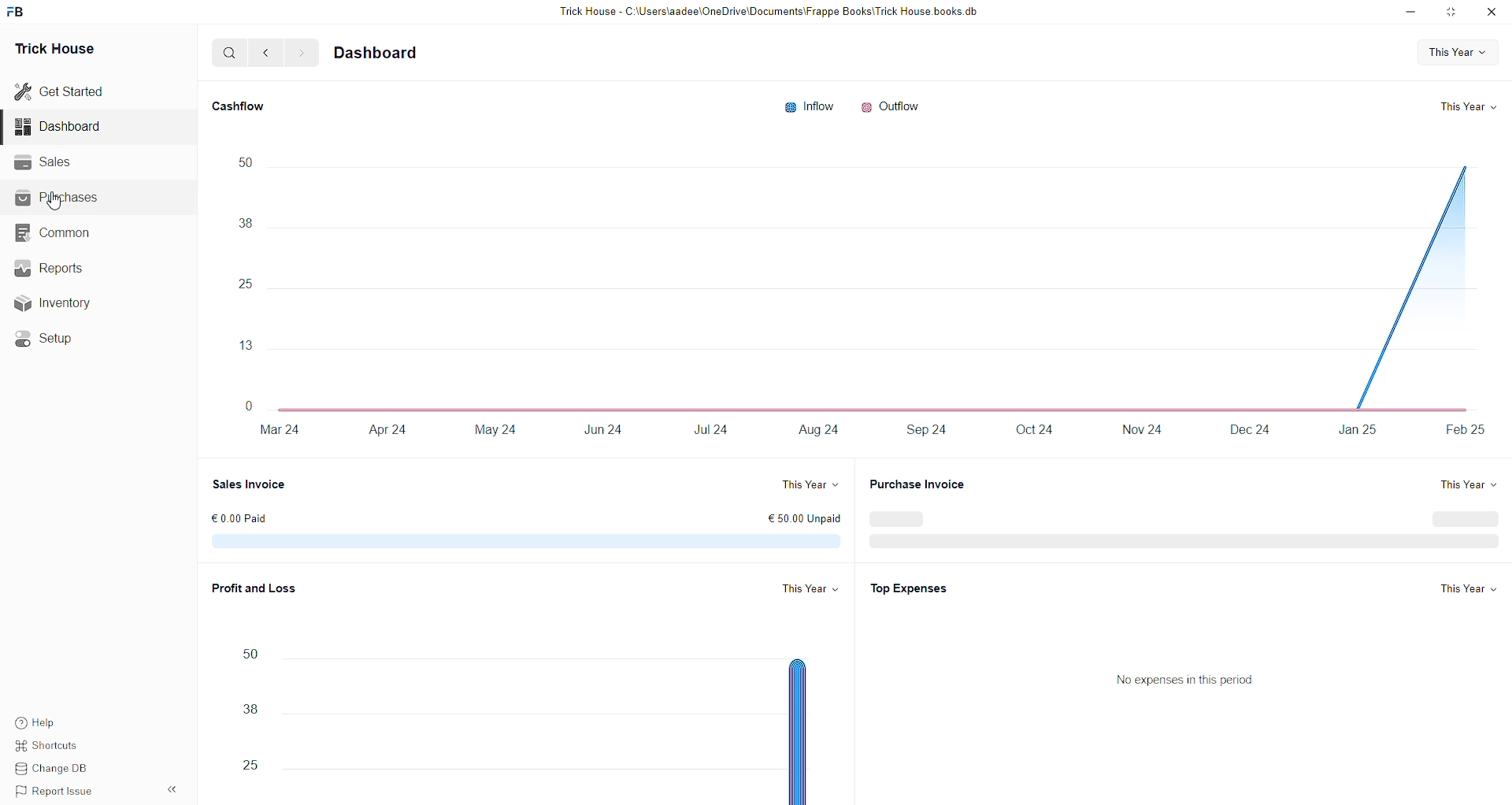 The width and height of the screenshot is (1512, 805). What do you see at coordinates (246, 766) in the screenshot?
I see `25` at bounding box center [246, 766].